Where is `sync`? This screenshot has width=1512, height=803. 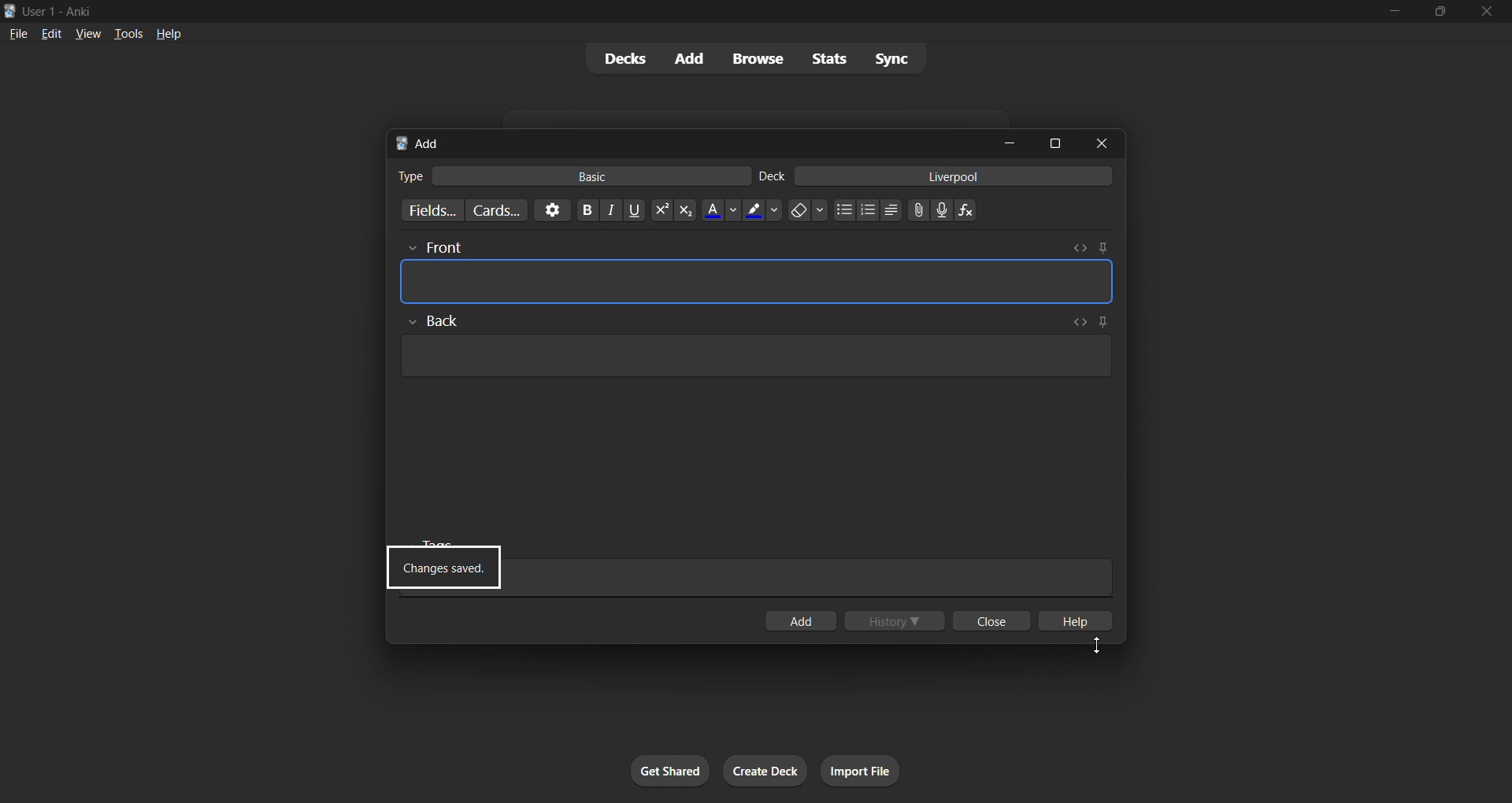
sync is located at coordinates (889, 60).